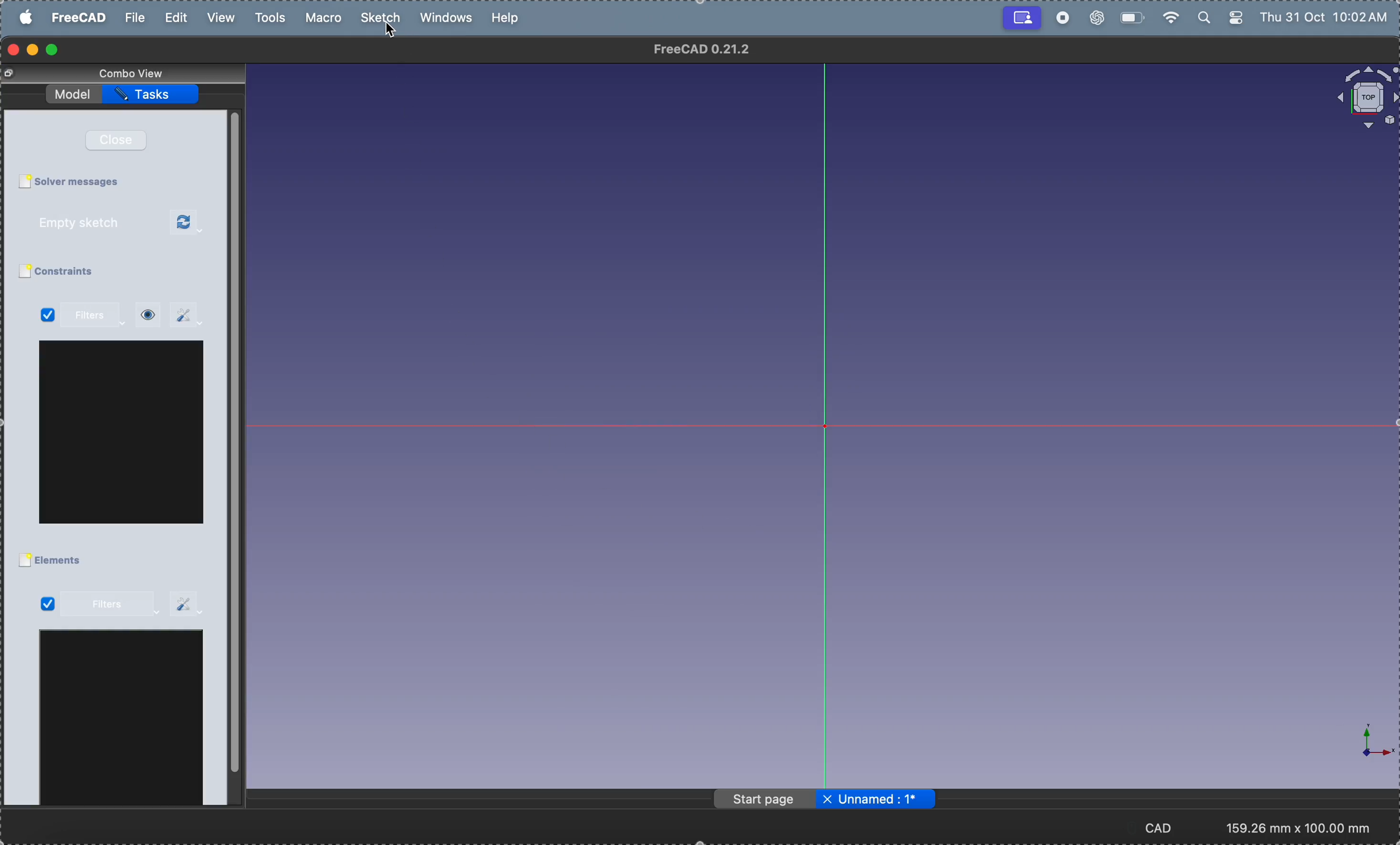  What do you see at coordinates (187, 315) in the screenshot?
I see `settings` at bounding box center [187, 315].